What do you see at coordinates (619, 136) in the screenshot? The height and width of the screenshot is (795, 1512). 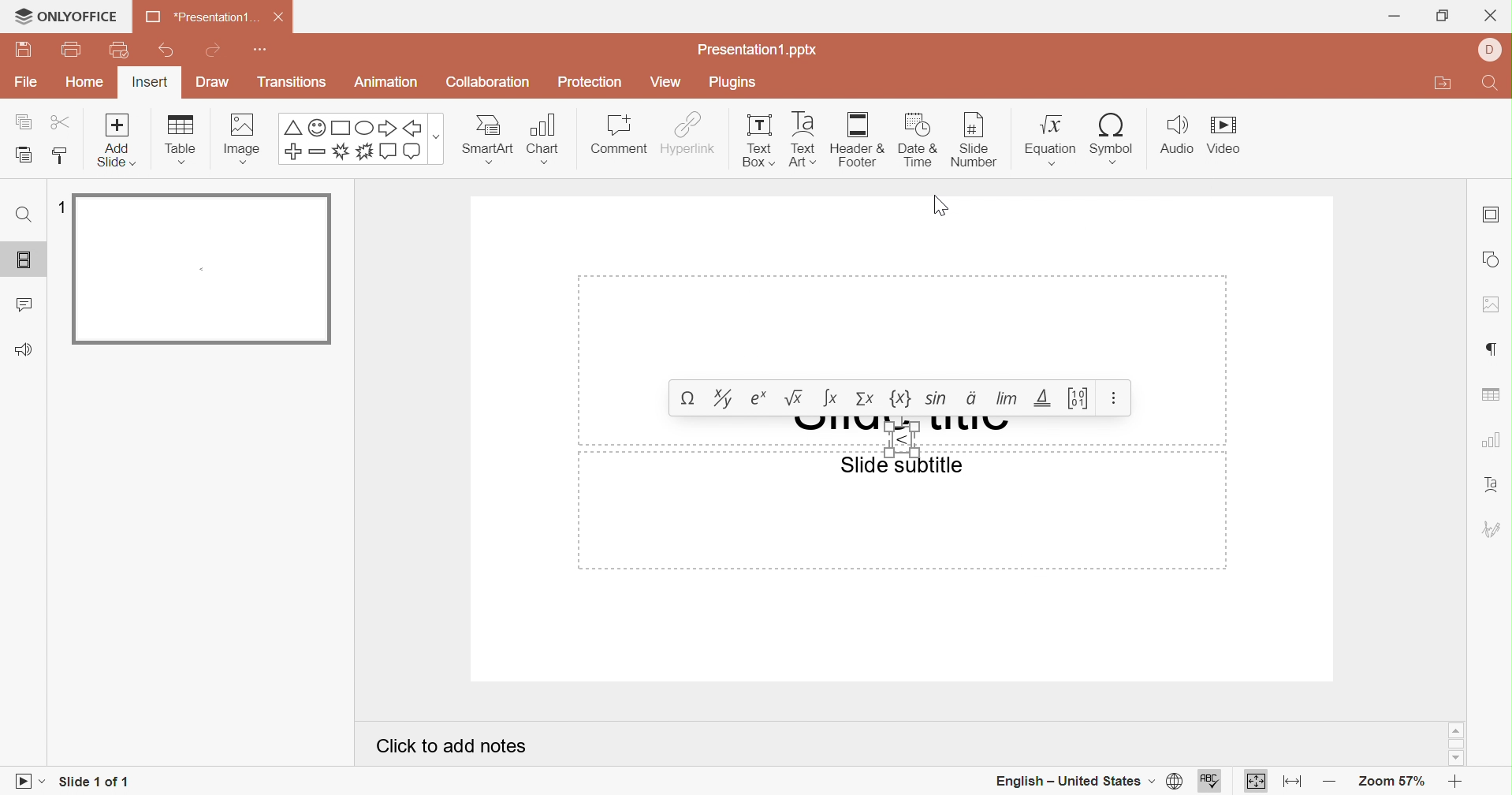 I see `Comment` at bounding box center [619, 136].